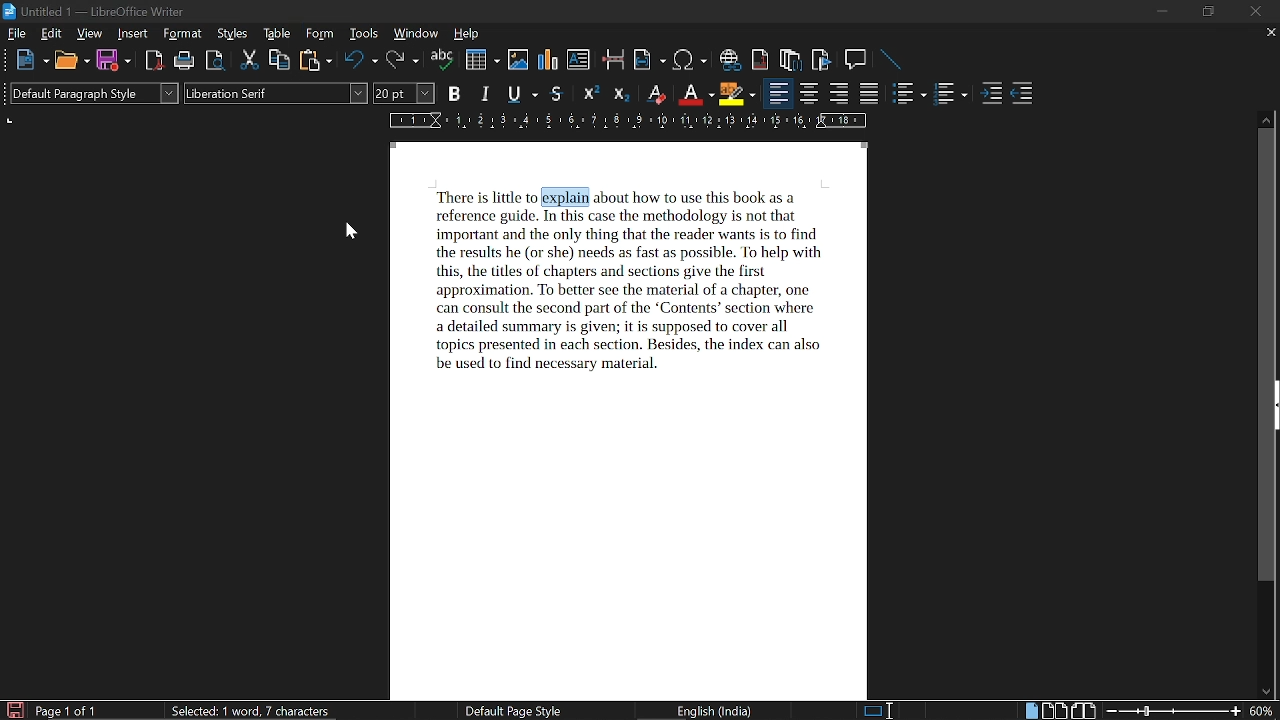 The height and width of the screenshot is (720, 1280). Describe the element at coordinates (625, 122) in the screenshot. I see `scale` at that location.